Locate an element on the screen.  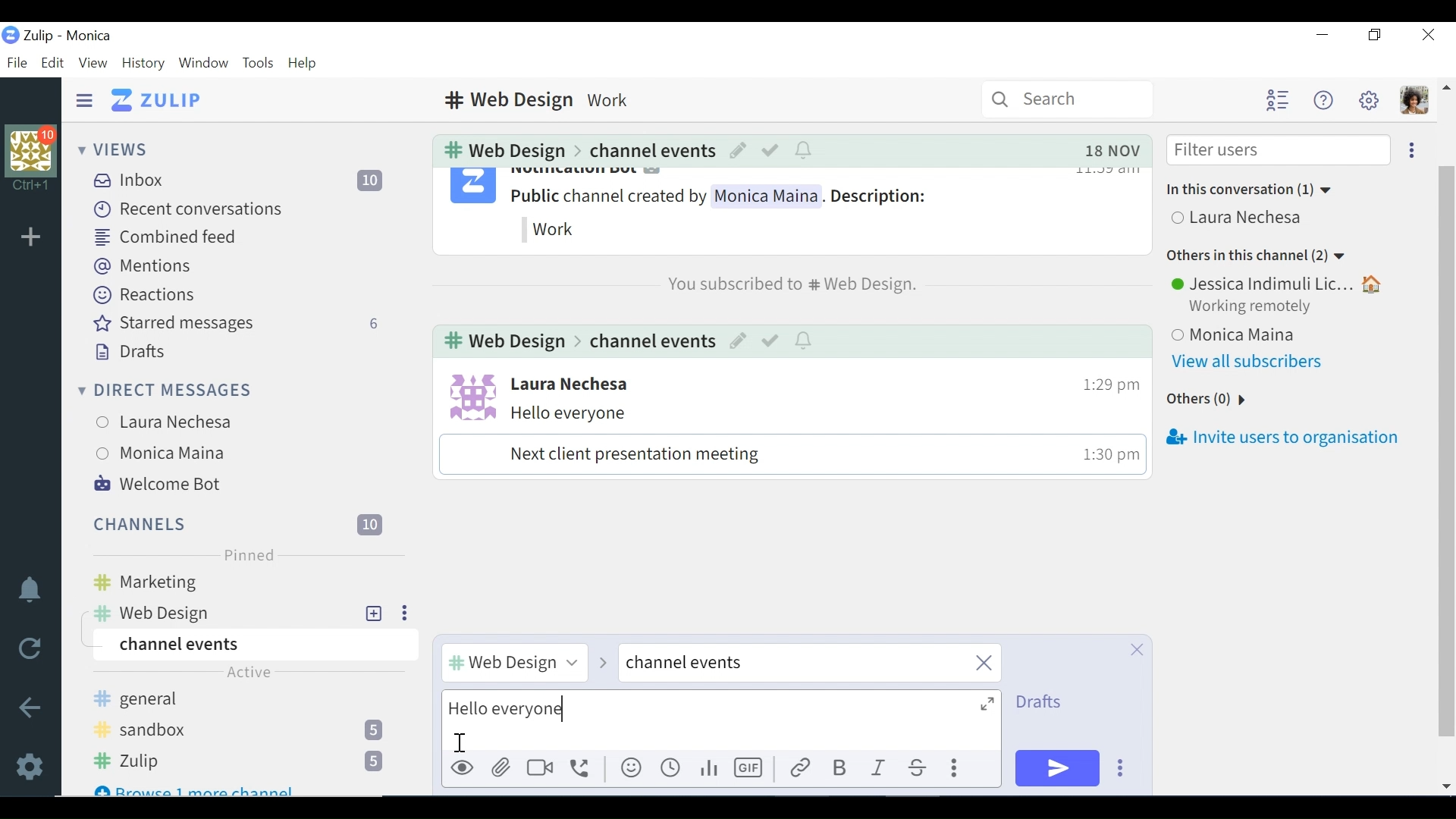
Browse 1 more channel is located at coordinates (197, 787).